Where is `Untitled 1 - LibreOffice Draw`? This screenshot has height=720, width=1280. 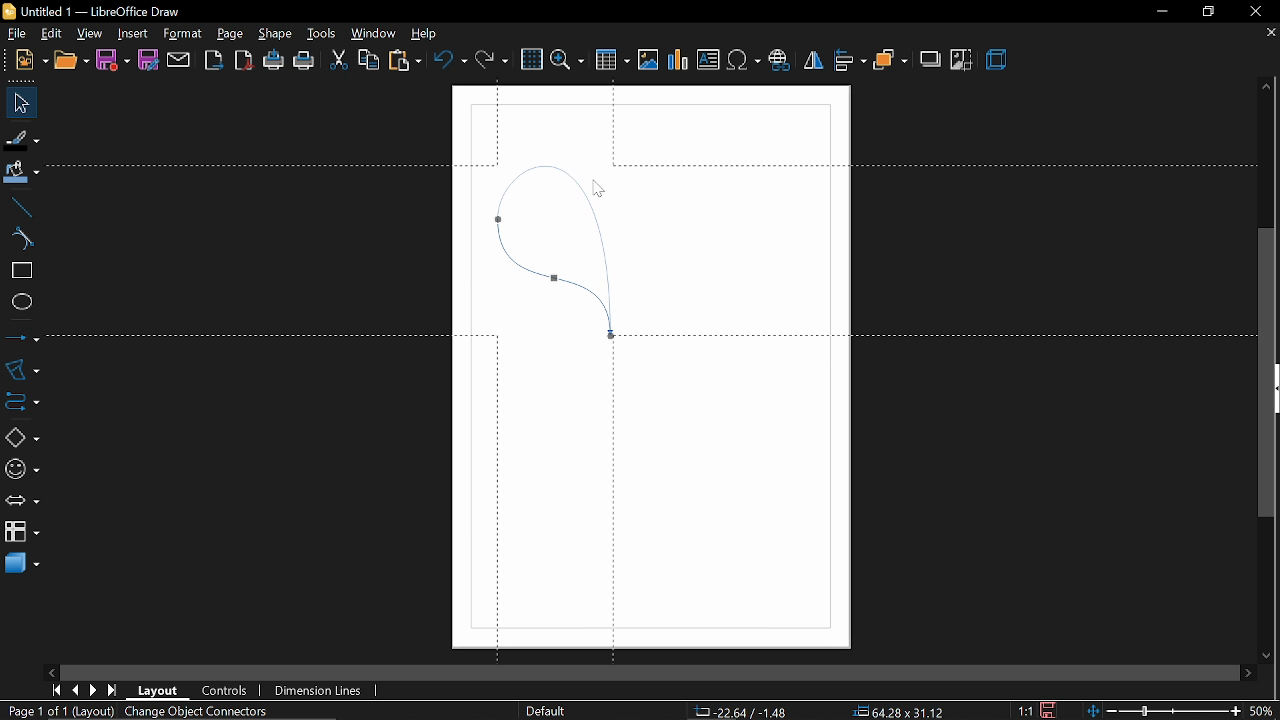 Untitled 1 - LibreOffice Draw is located at coordinates (93, 11).